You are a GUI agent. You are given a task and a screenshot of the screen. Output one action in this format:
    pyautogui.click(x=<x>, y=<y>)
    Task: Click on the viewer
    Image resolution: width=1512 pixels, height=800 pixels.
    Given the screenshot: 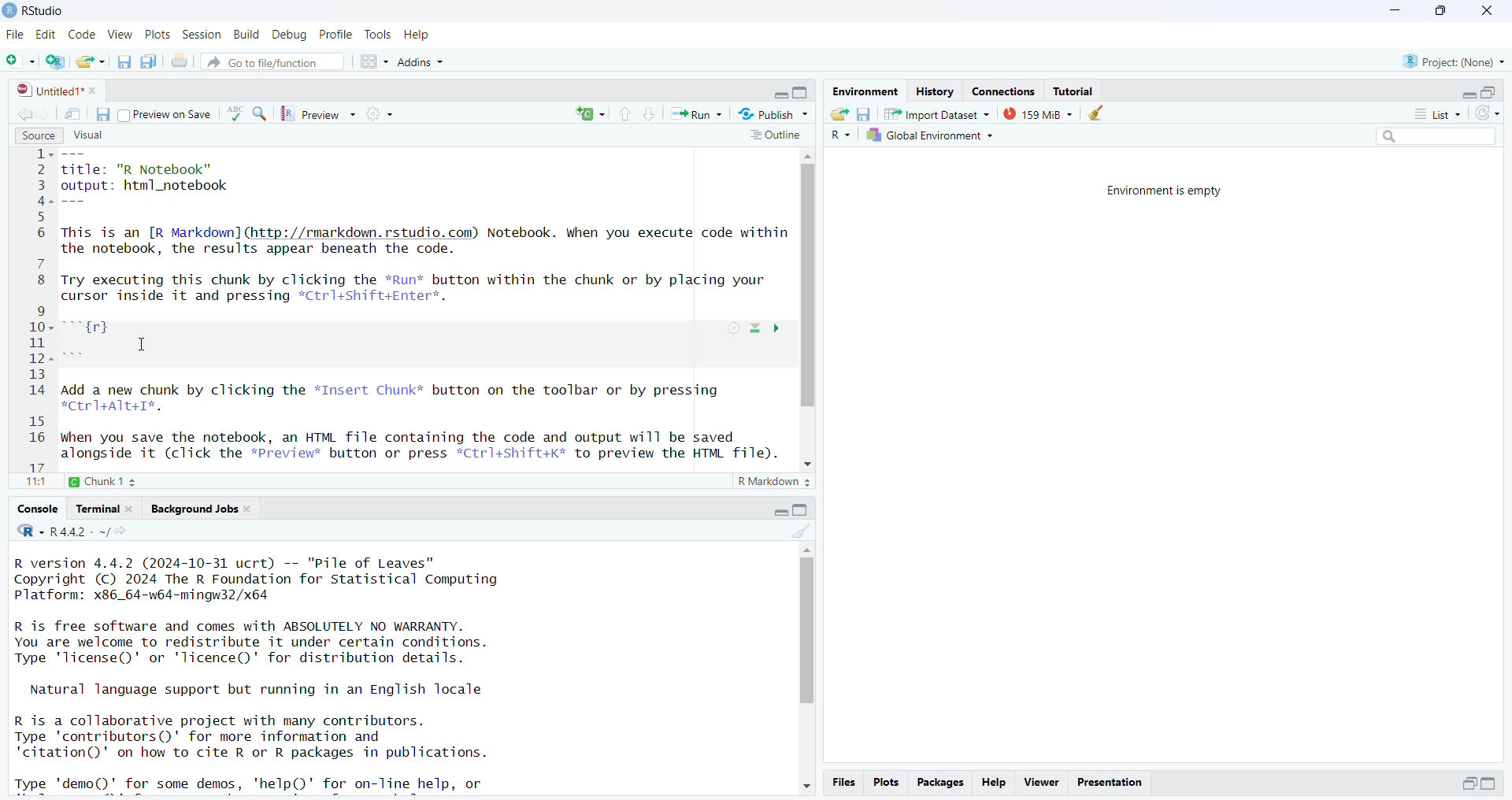 What is the action you would take?
    pyautogui.click(x=1041, y=783)
    